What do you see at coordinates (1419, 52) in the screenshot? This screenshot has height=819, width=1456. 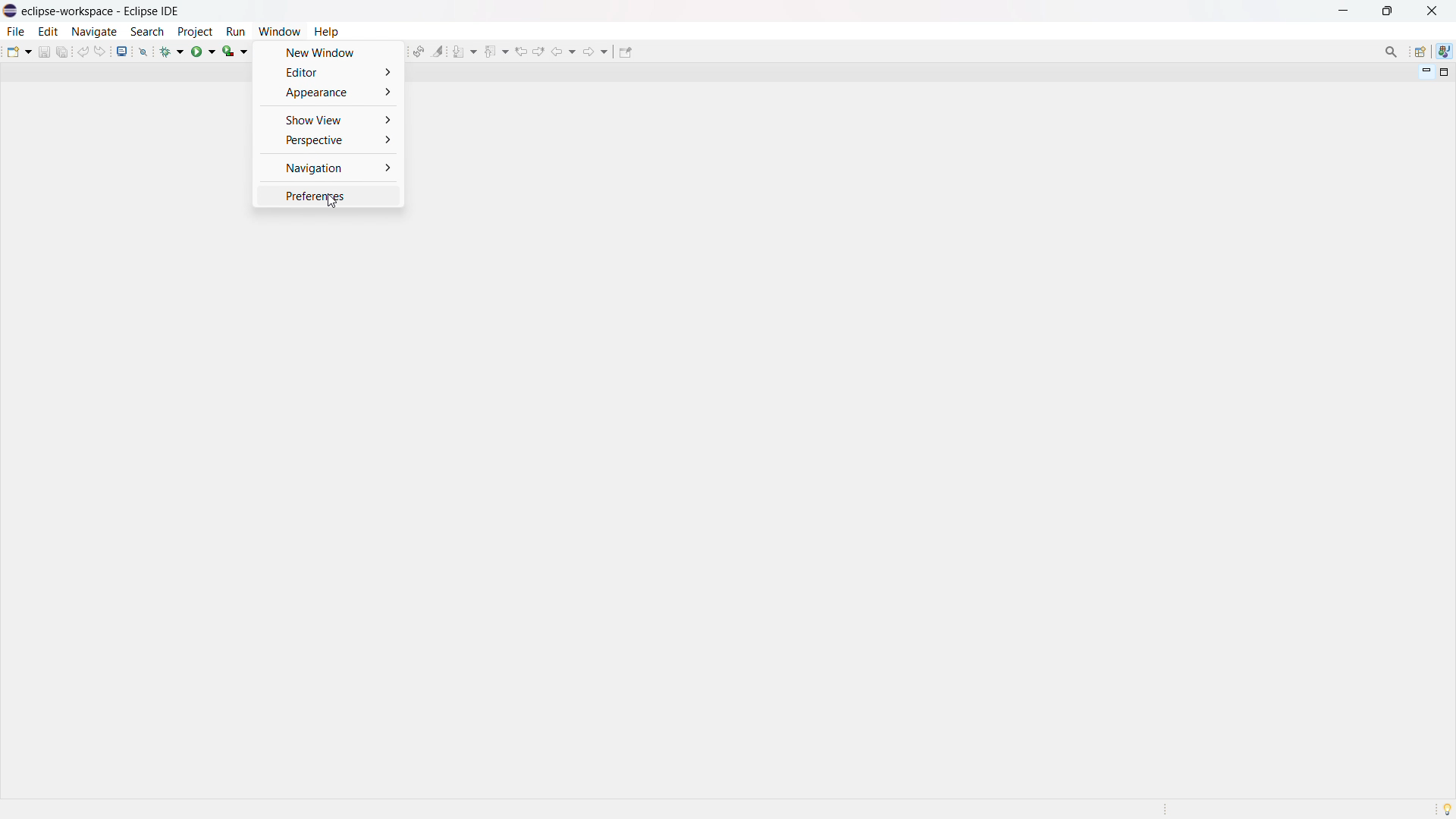 I see `open perspective` at bounding box center [1419, 52].